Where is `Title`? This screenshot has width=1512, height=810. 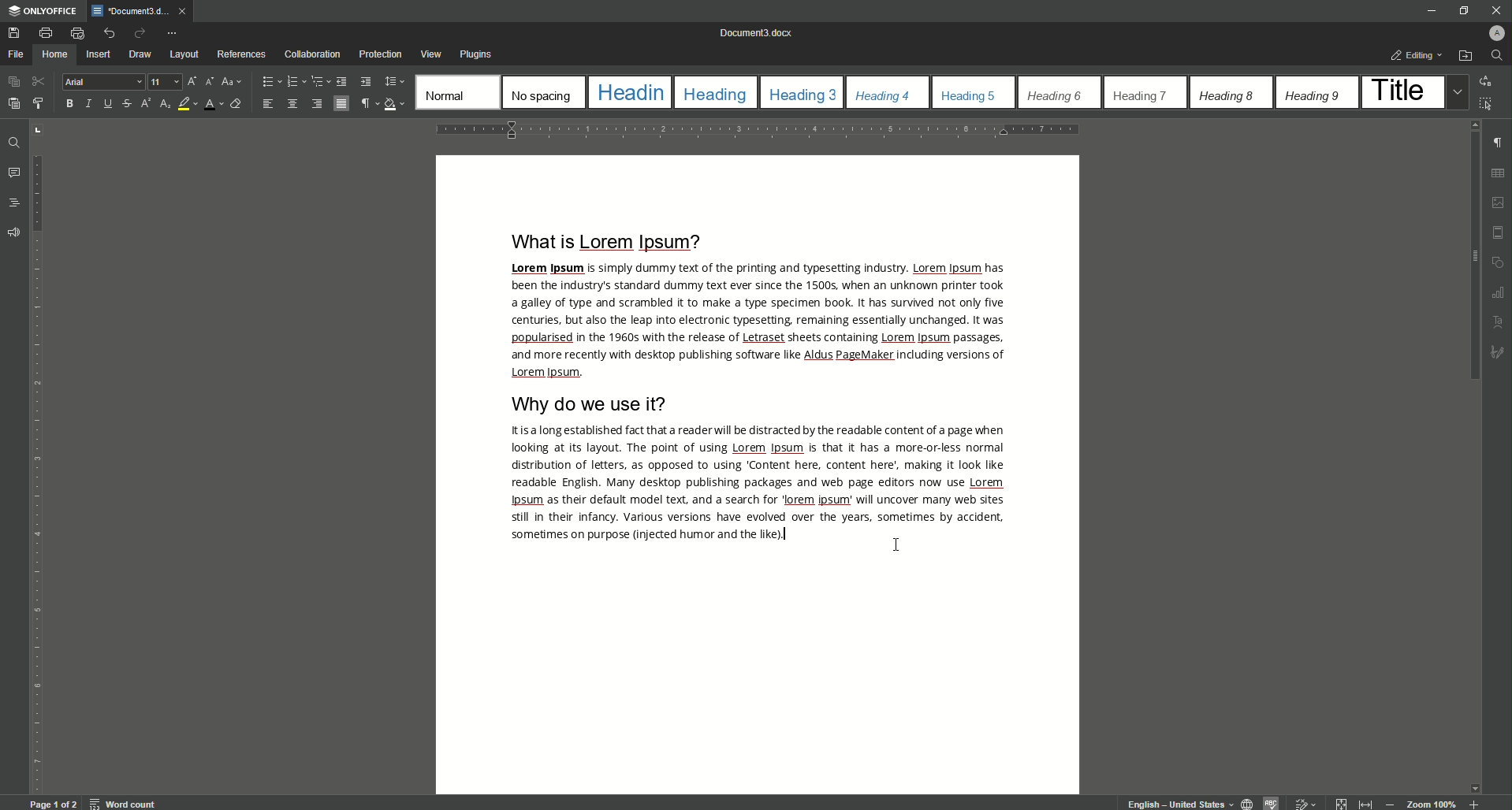 Title is located at coordinates (1398, 89).